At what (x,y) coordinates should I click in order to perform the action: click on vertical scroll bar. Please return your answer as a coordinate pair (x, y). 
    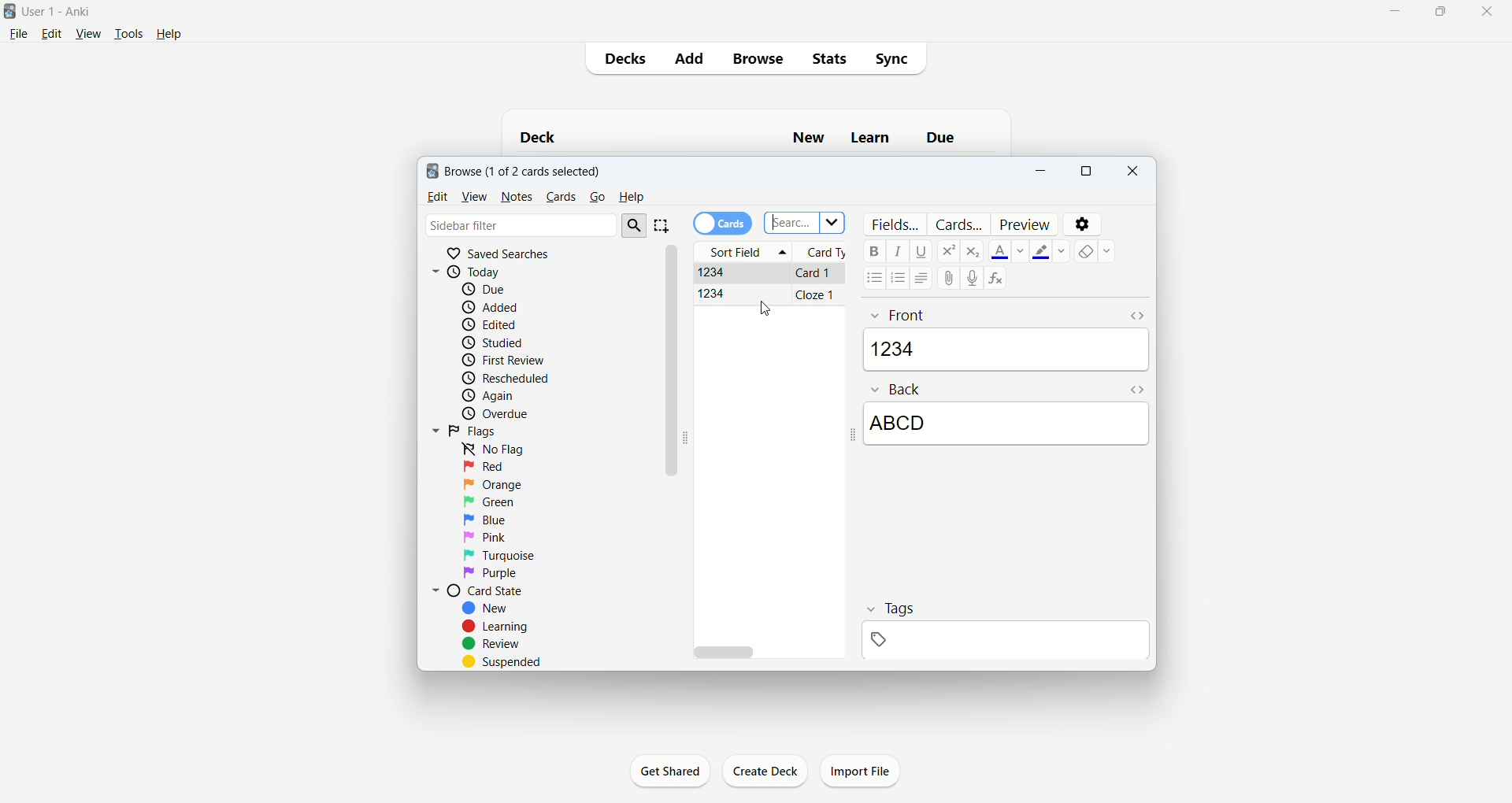
    Looking at the image, I should click on (677, 457).